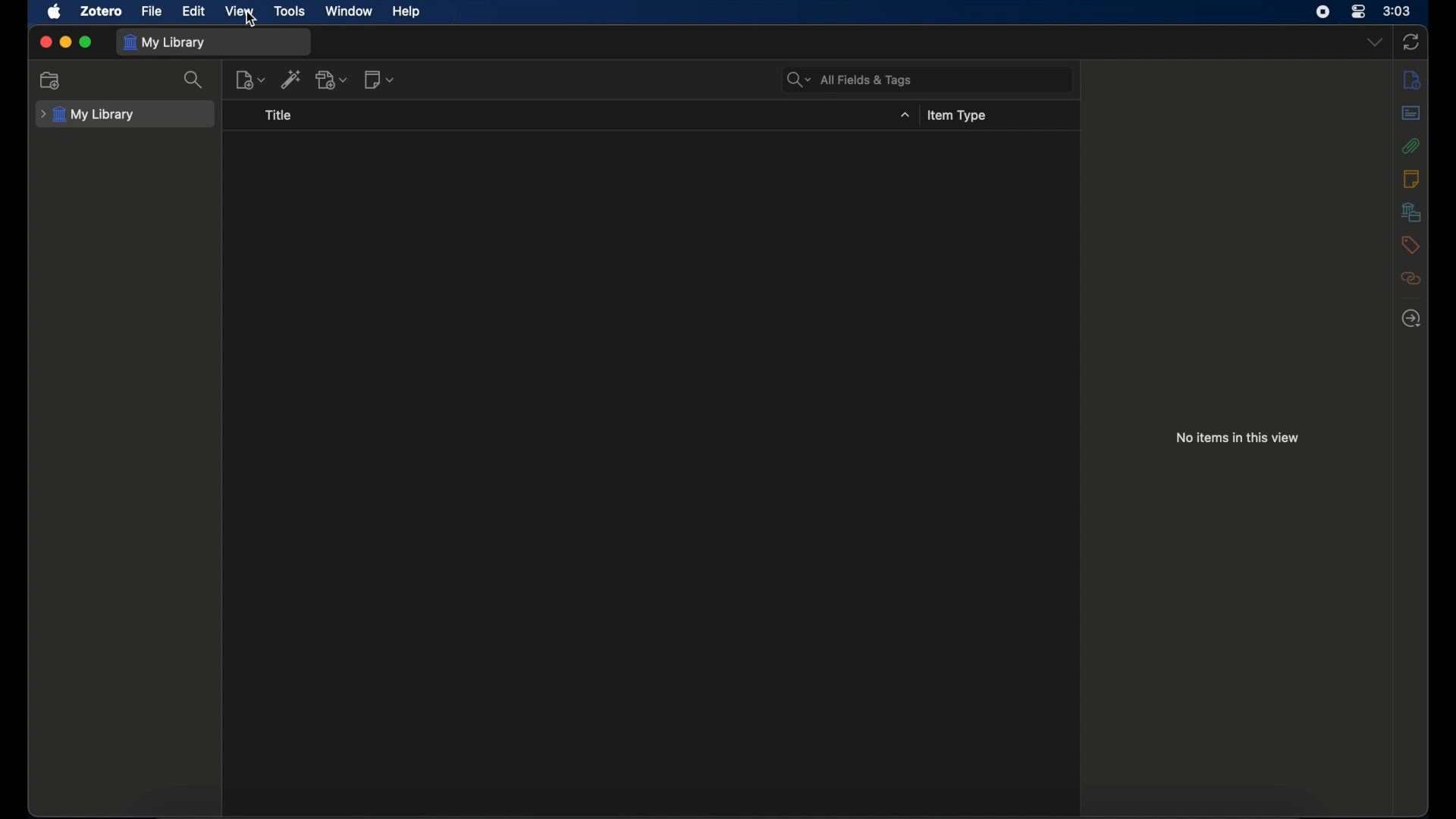  What do you see at coordinates (1238, 437) in the screenshot?
I see `no items in this view` at bounding box center [1238, 437].